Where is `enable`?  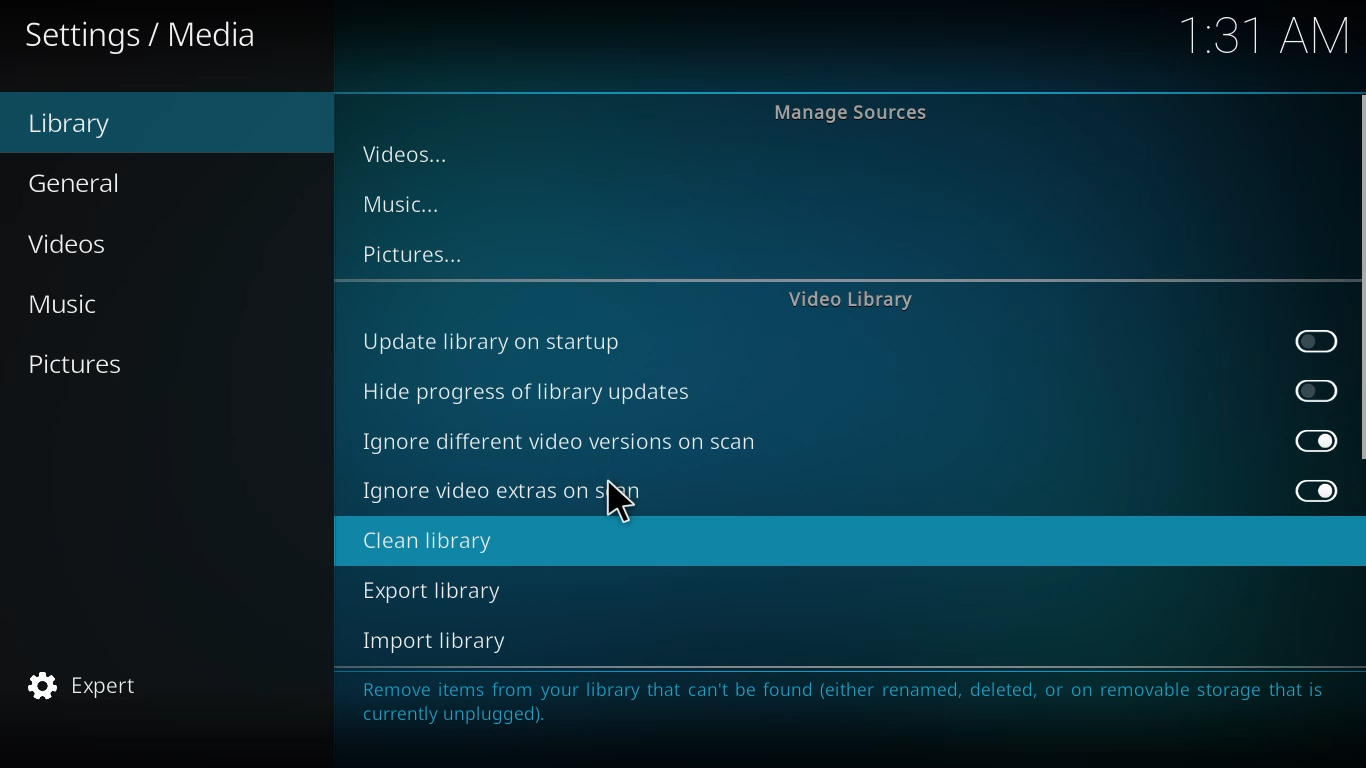
enable is located at coordinates (1318, 388).